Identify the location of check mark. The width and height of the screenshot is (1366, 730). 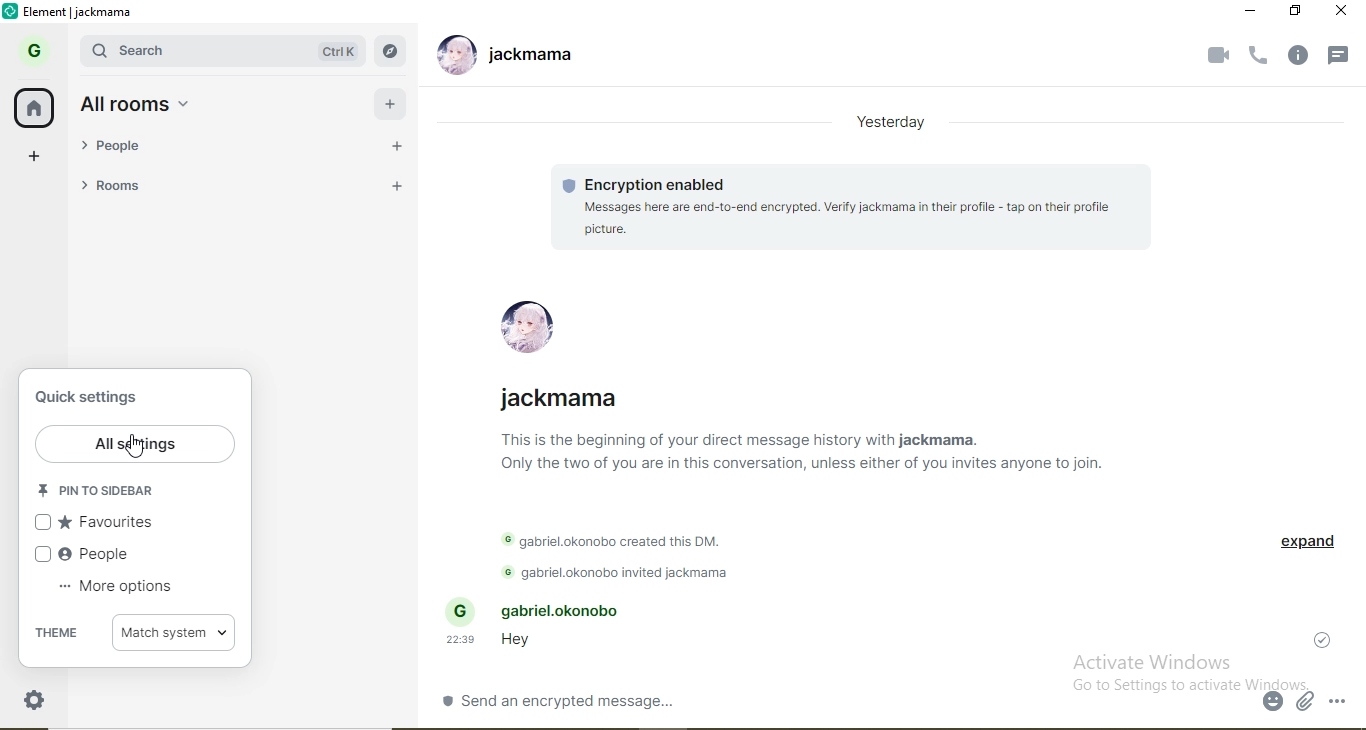
(1327, 637).